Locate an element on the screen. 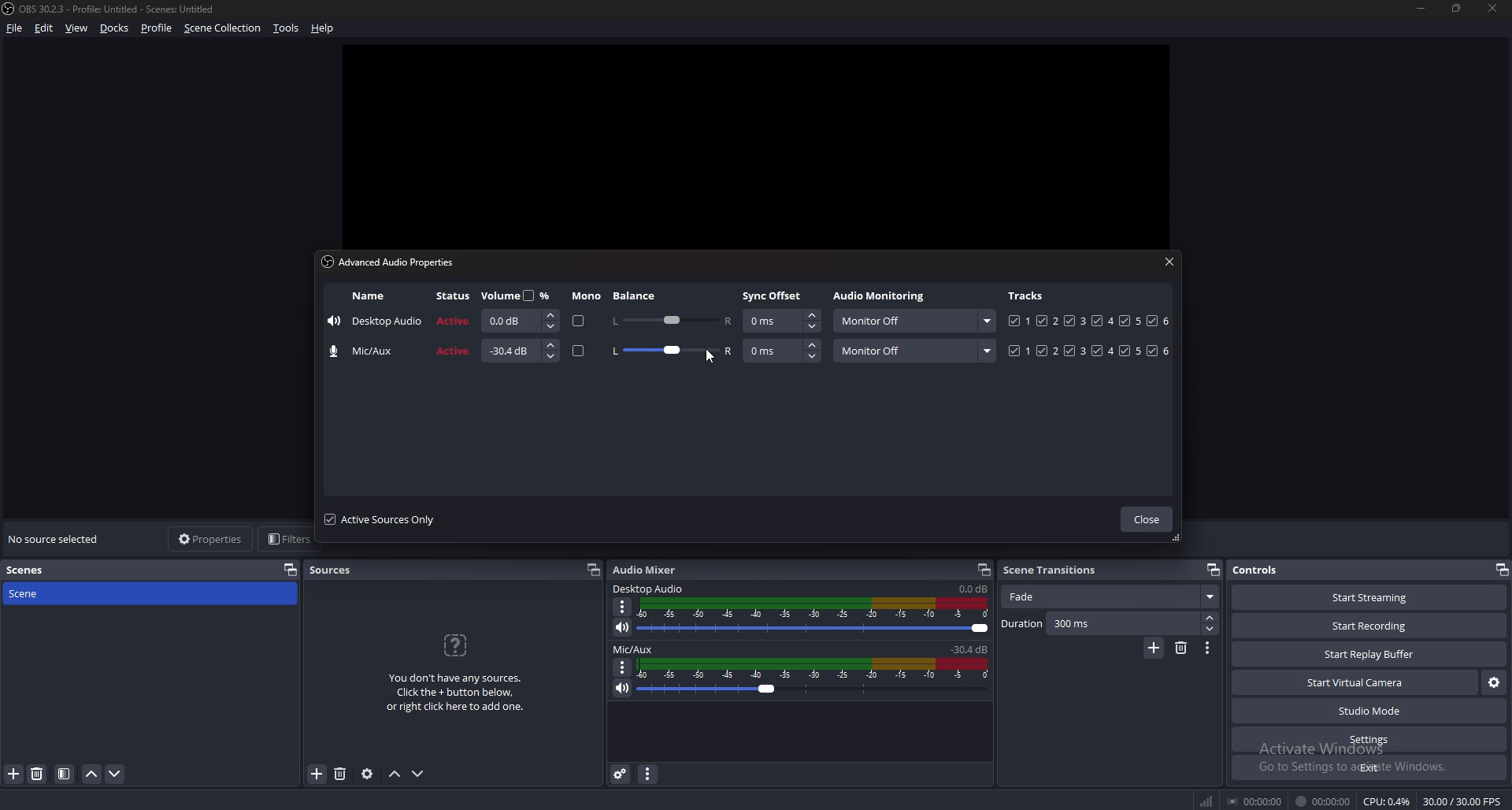  monitor off is located at coordinates (913, 321).